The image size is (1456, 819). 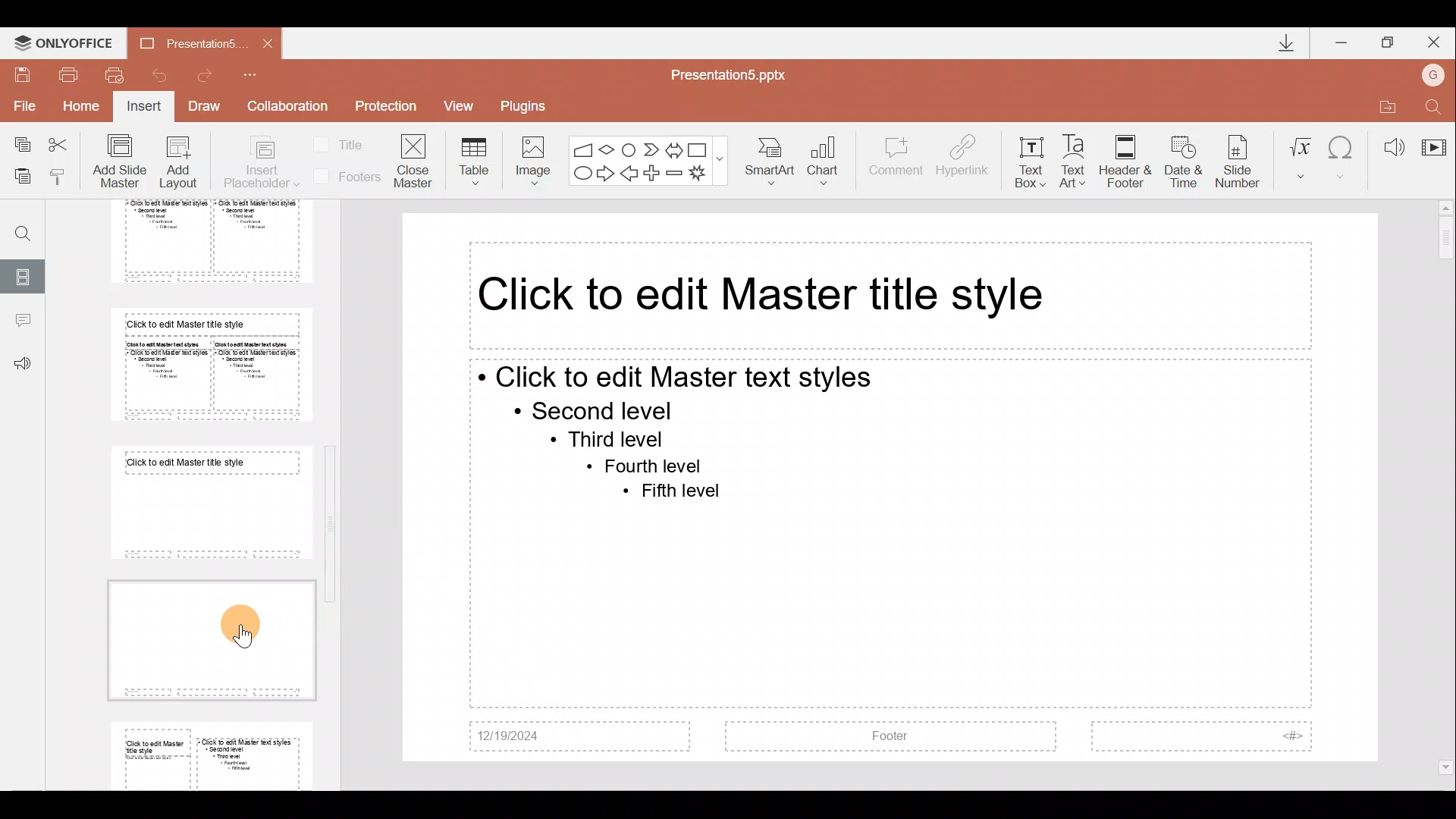 I want to click on Comment, so click(x=896, y=163).